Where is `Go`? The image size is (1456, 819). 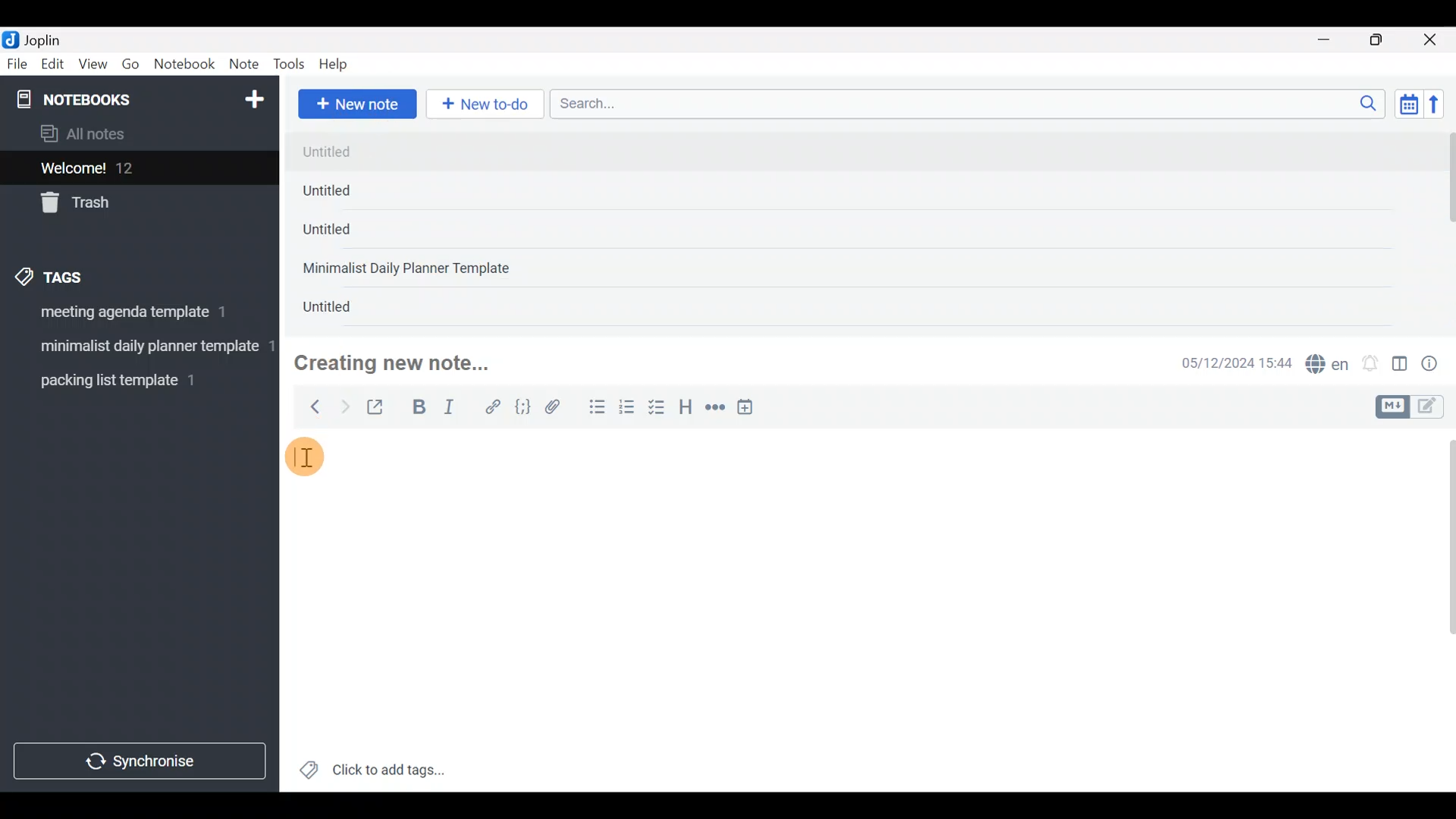
Go is located at coordinates (130, 67).